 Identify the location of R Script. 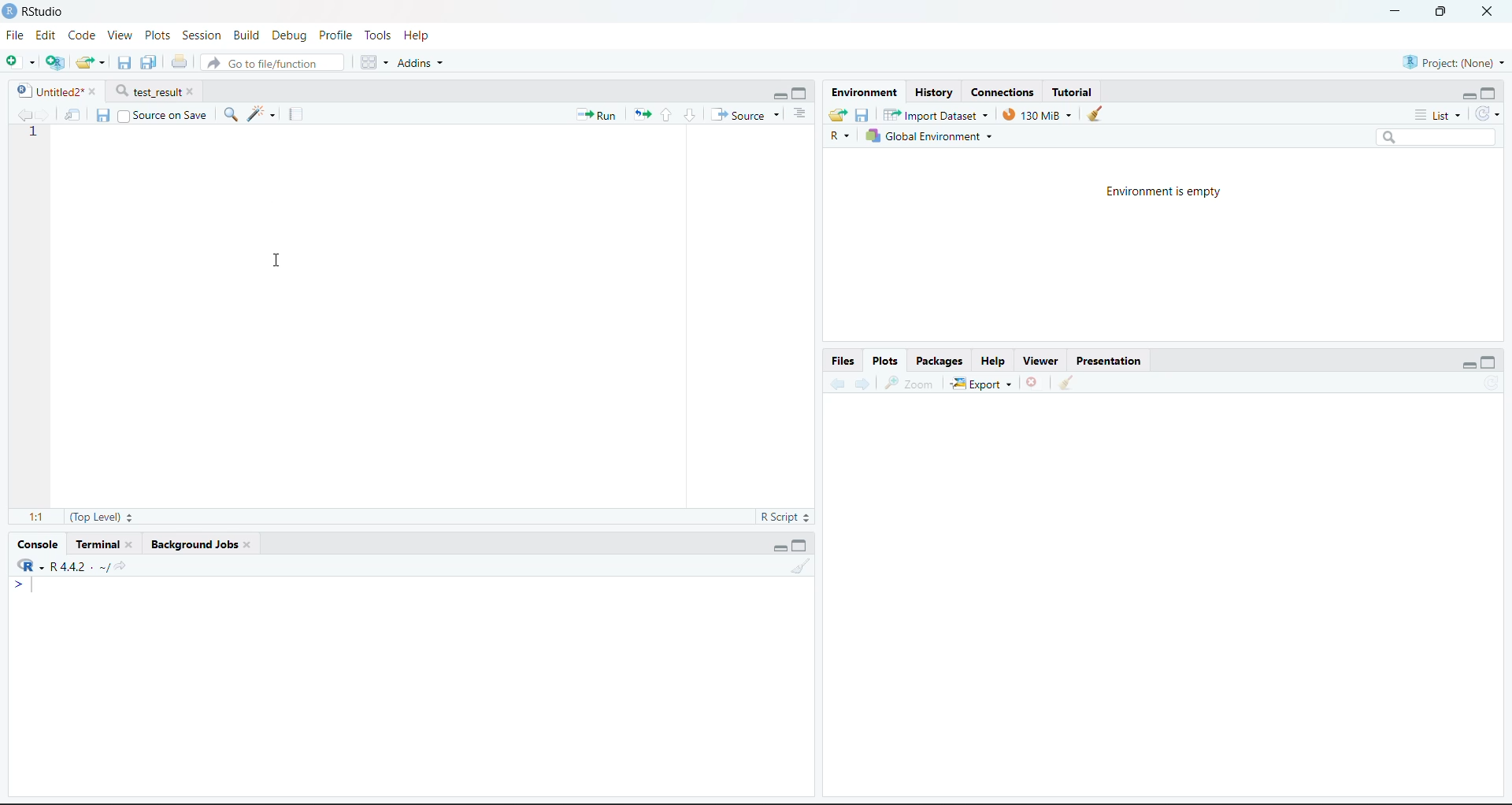
(787, 517).